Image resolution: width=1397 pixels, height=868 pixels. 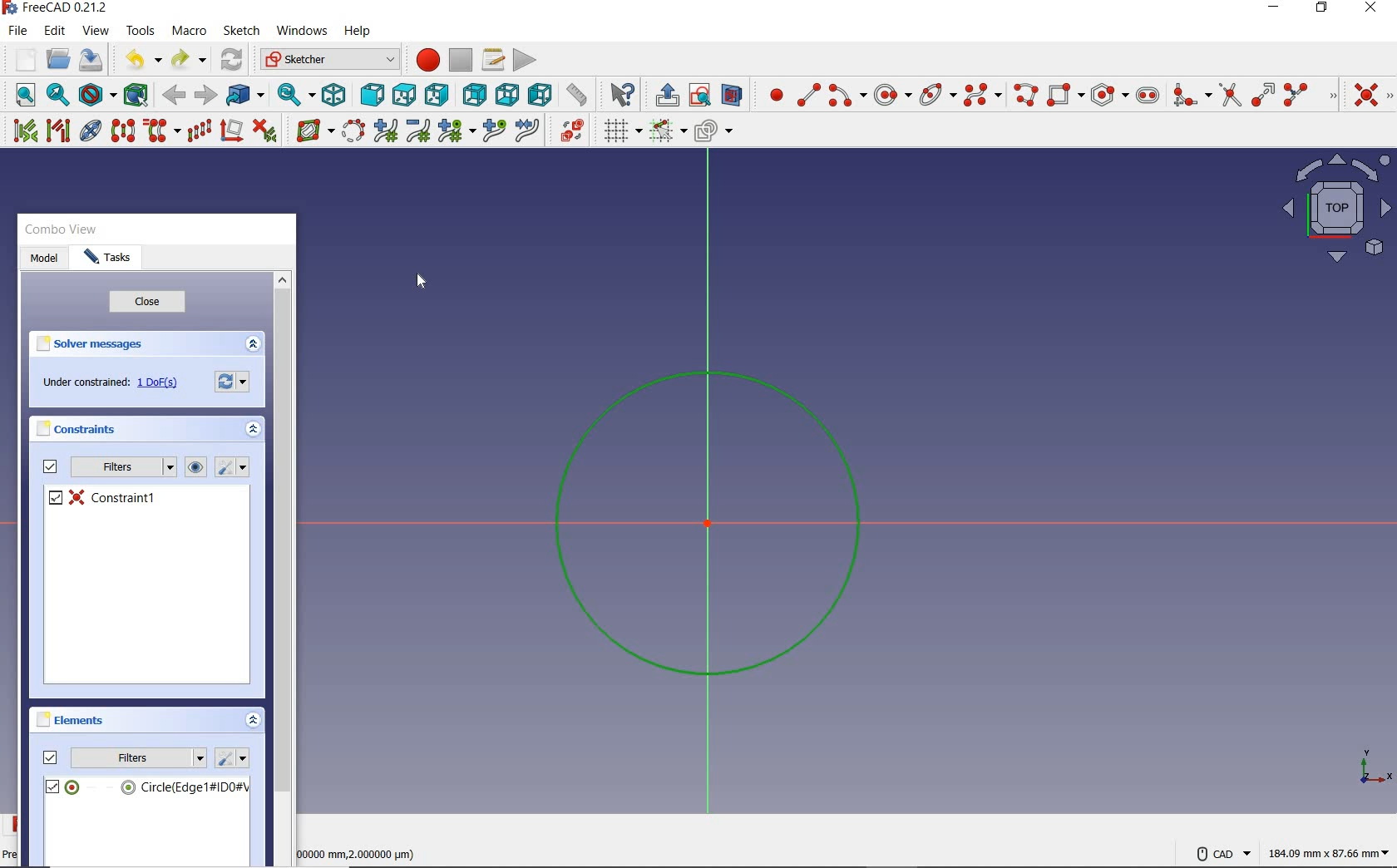 I want to click on new, so click(x=21, y=58).